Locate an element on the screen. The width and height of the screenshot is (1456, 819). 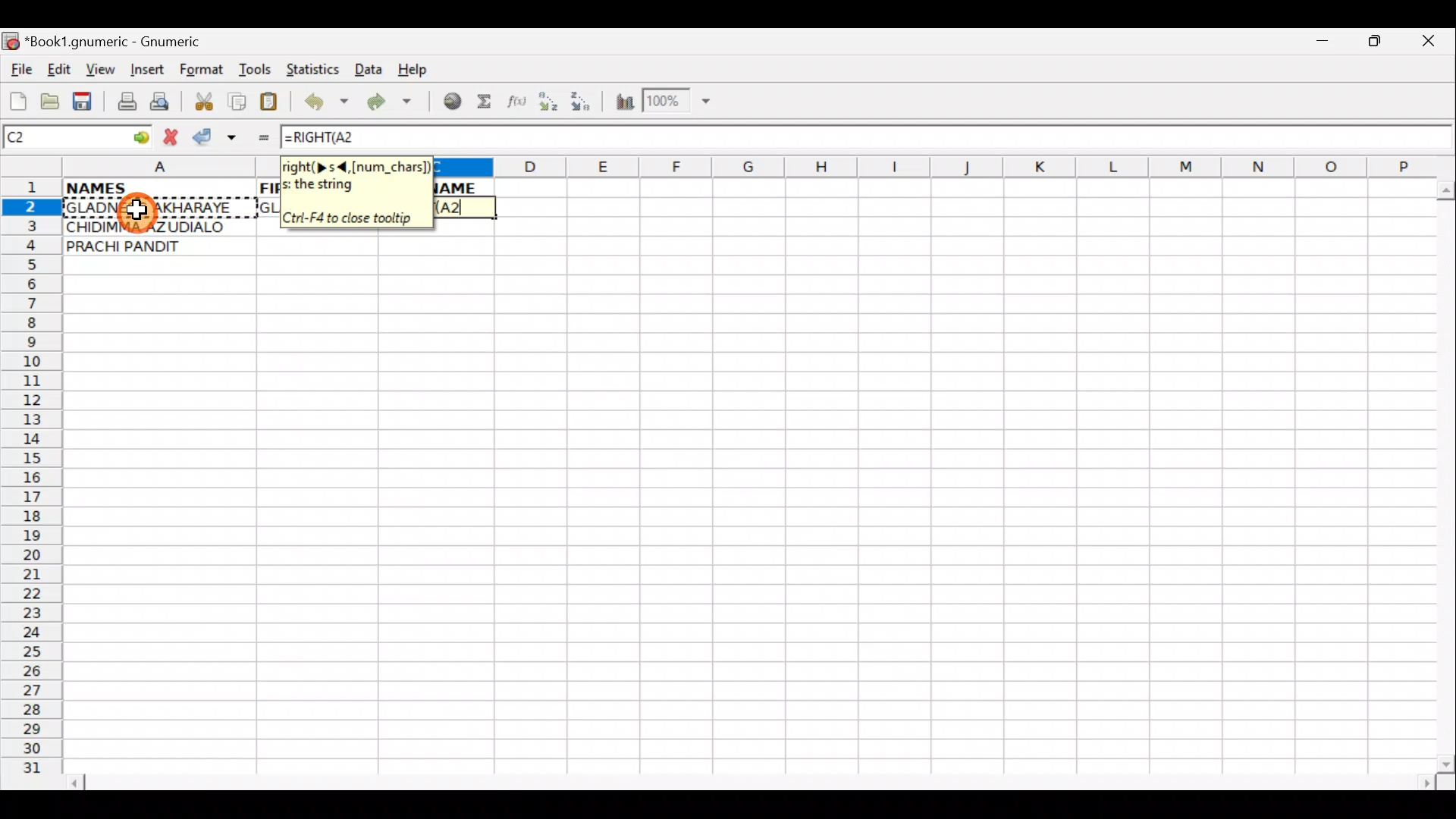
Save current workbook is located at coordinates (86, 102).